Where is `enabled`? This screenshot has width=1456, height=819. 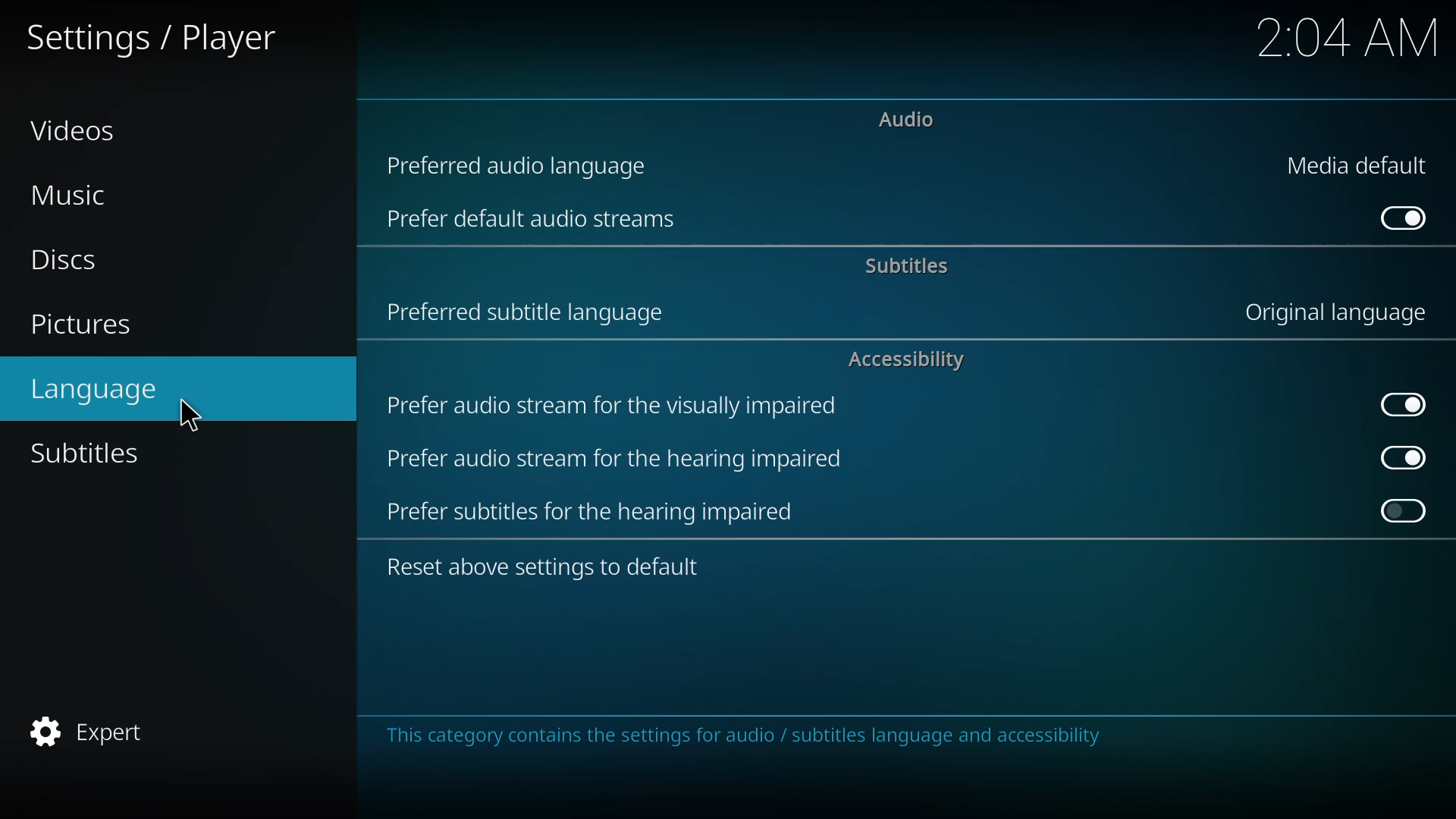
enabled is located at coordinates (1401, 405).